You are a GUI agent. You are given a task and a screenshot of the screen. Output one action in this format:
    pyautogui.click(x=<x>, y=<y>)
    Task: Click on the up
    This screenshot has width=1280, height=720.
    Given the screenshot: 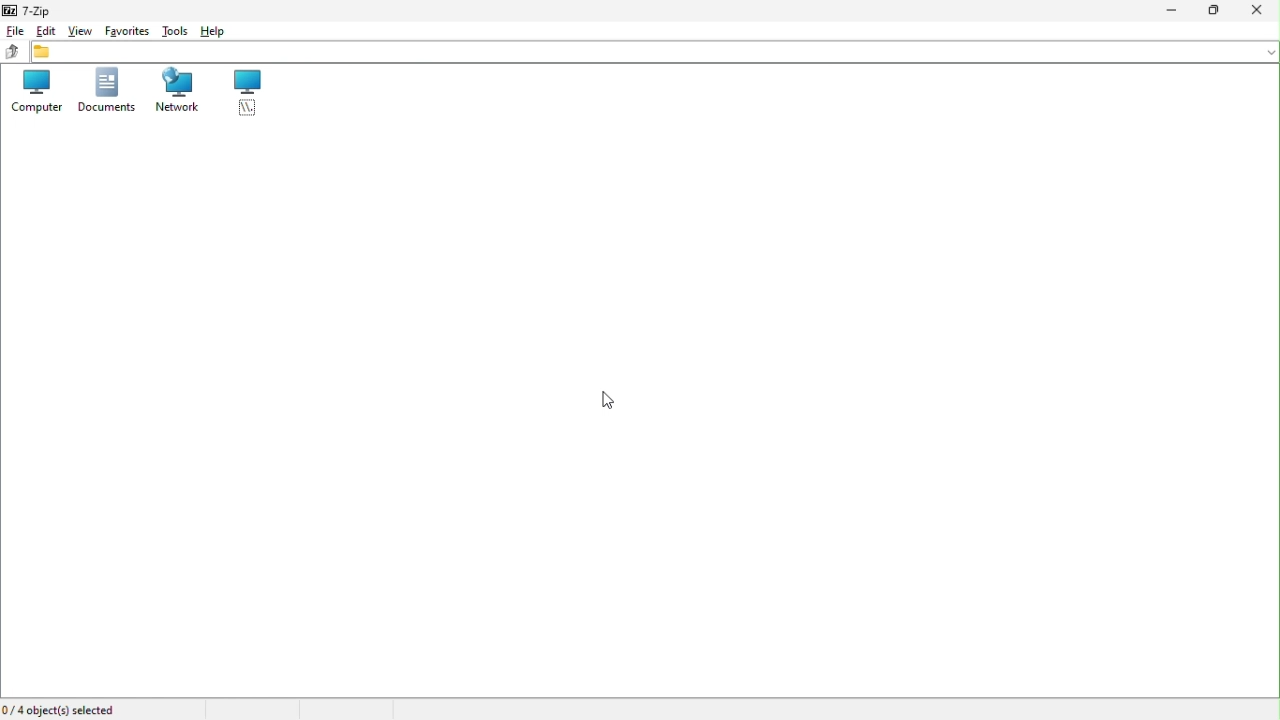 What is the action you would take?
    pyautogui.click(x=12, y=51)
    